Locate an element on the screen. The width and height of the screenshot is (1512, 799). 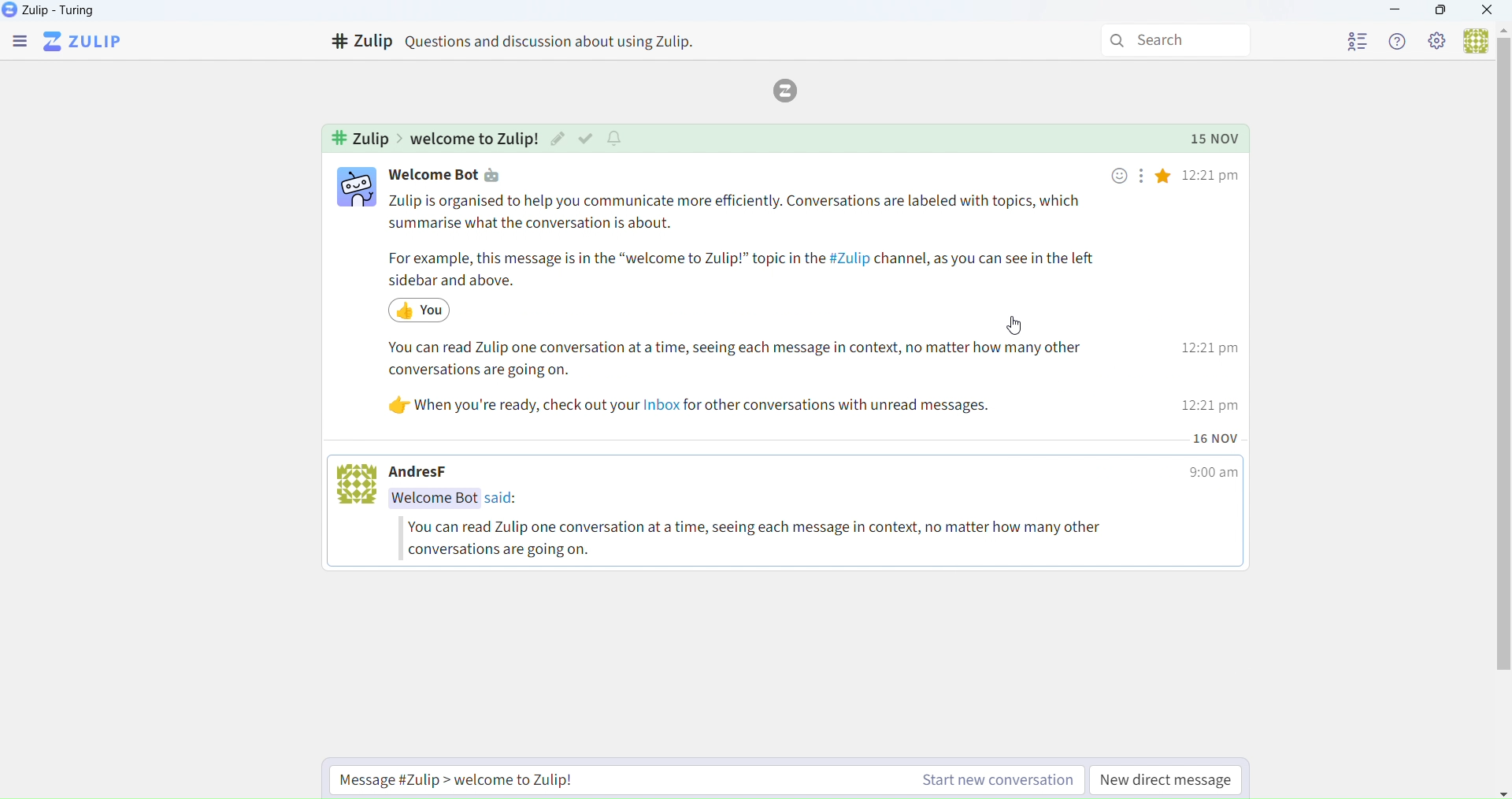
Settings is located at coordinates (1437, 43).